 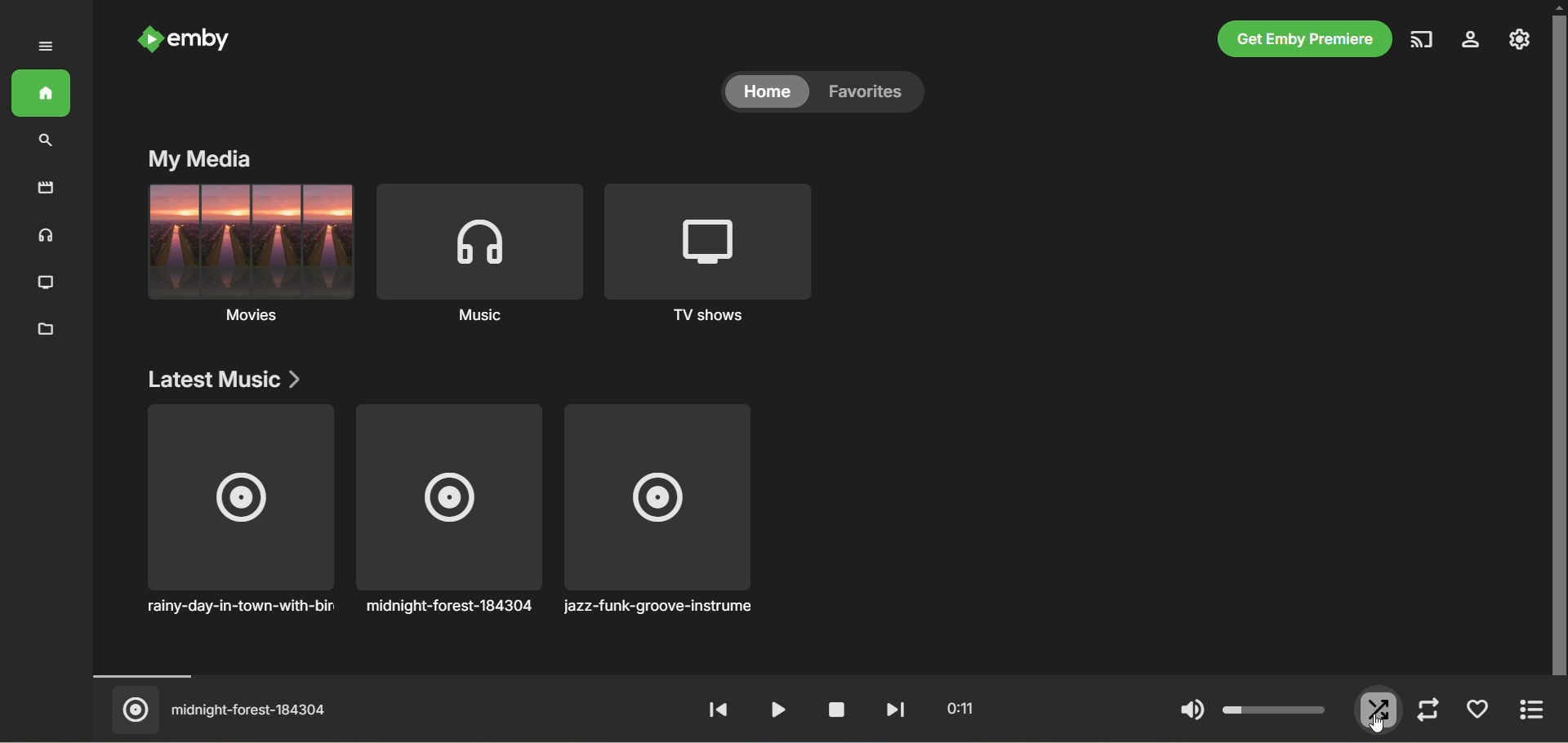 What do you see at coordinates (42, 283) in the screenshot?
I see `TV shows` at bounding box center [42, 283].